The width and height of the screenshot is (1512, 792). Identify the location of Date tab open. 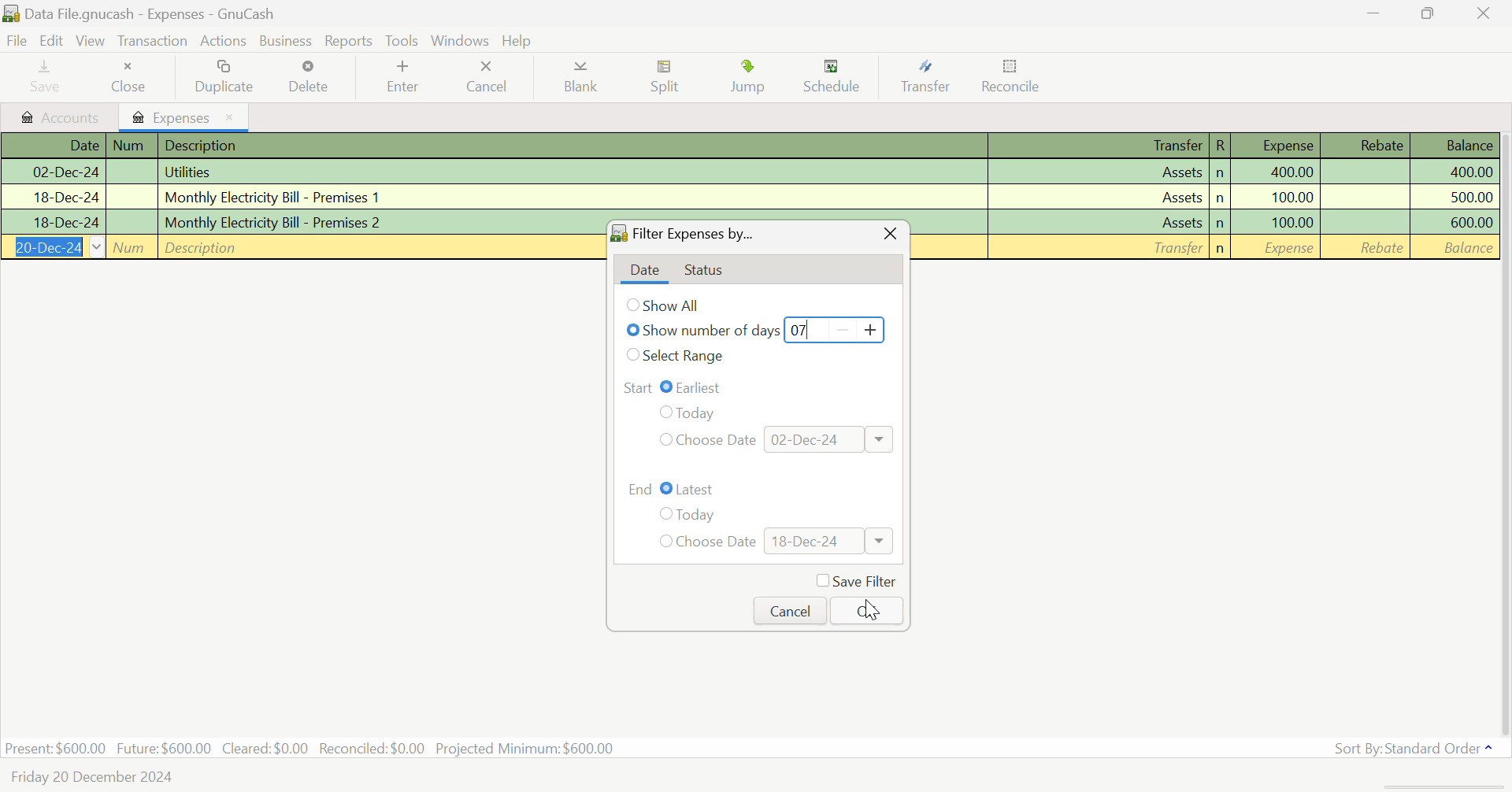
(644, 272).